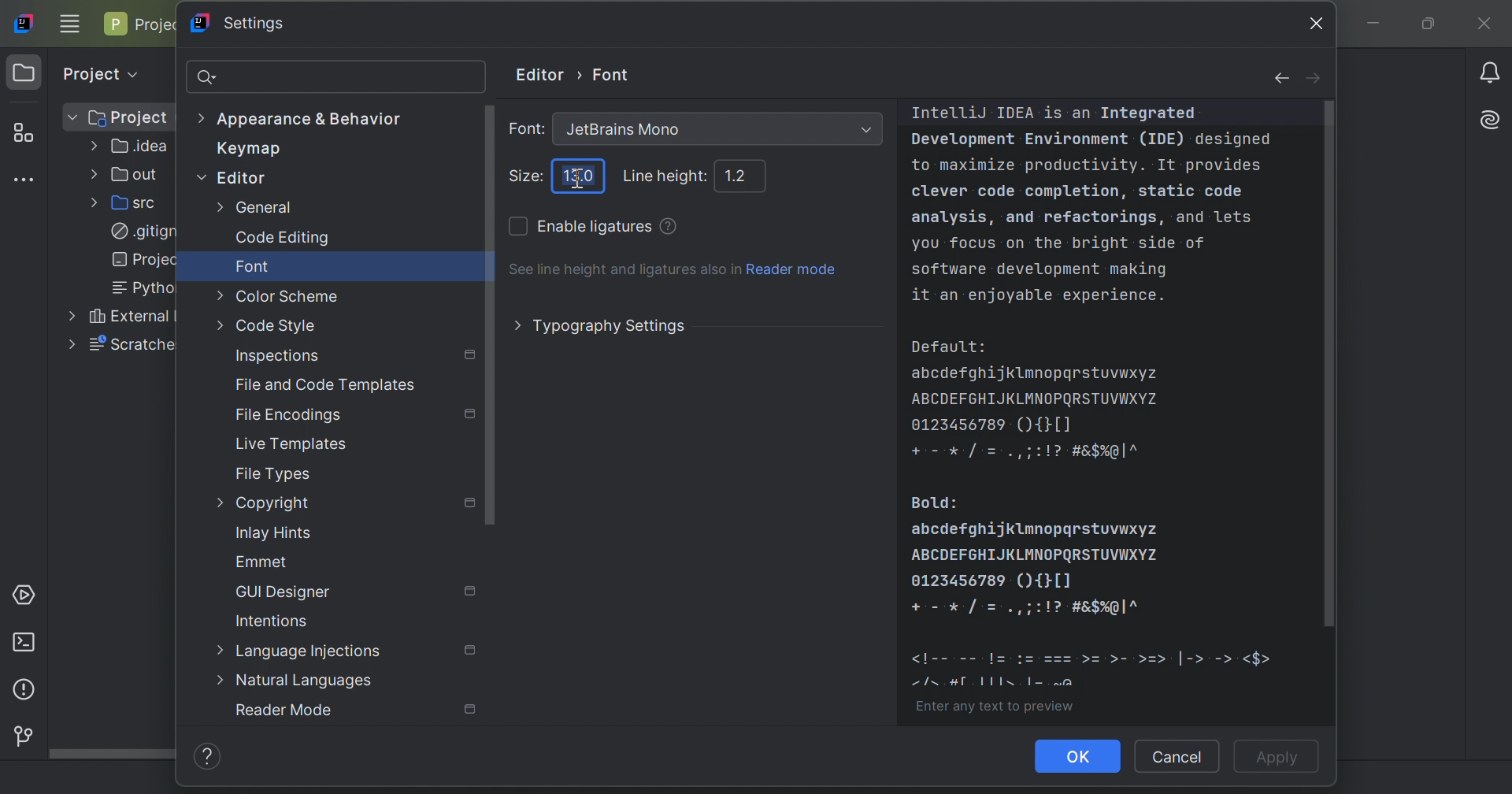 This screenshot has height=794, width=1512. Describe the element at coordinates (491, 314) in the screenshot. I see `Scroll bar` at that location.